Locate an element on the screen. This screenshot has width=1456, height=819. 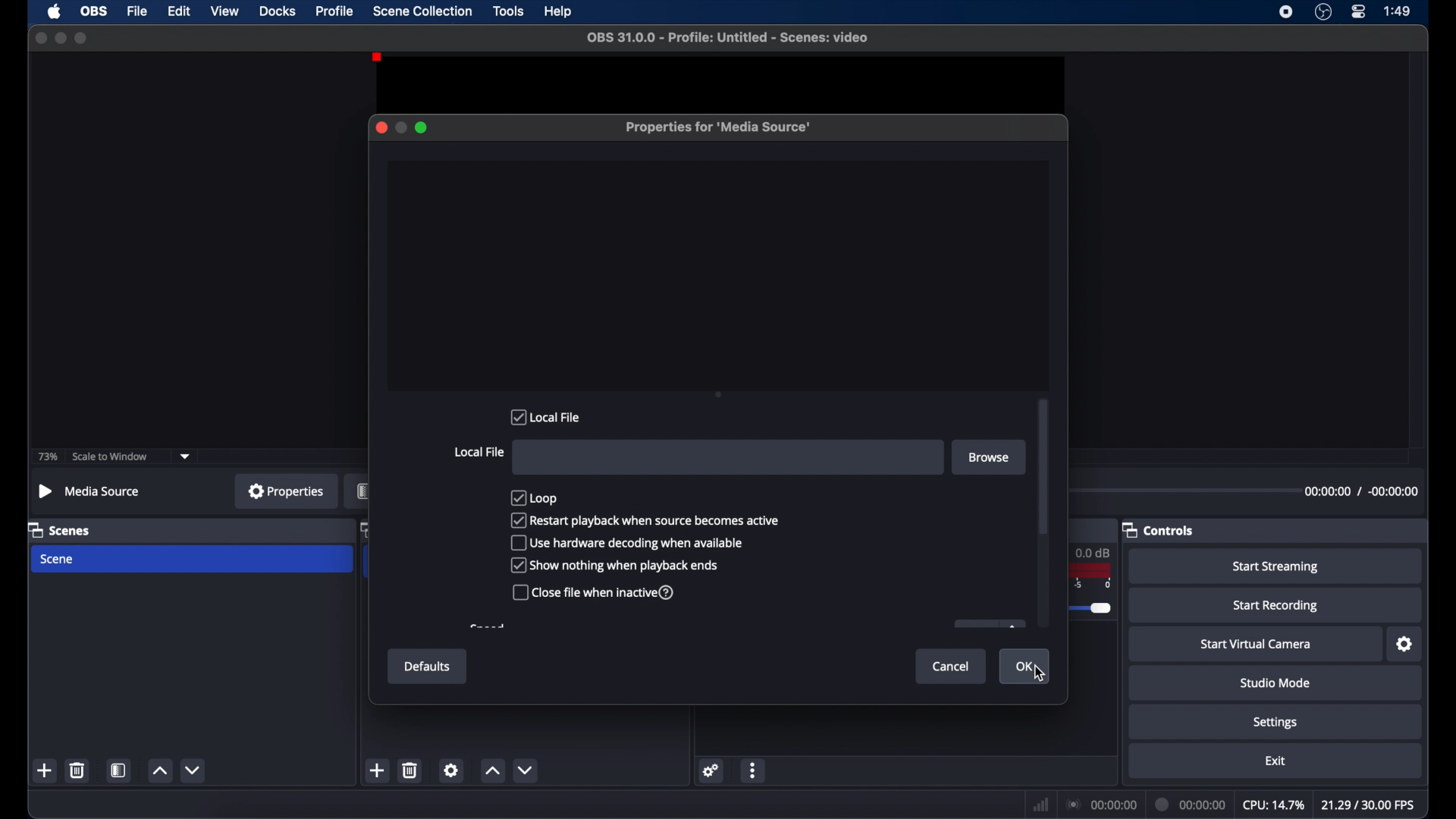
defaults is located at coordinates (428, 665).